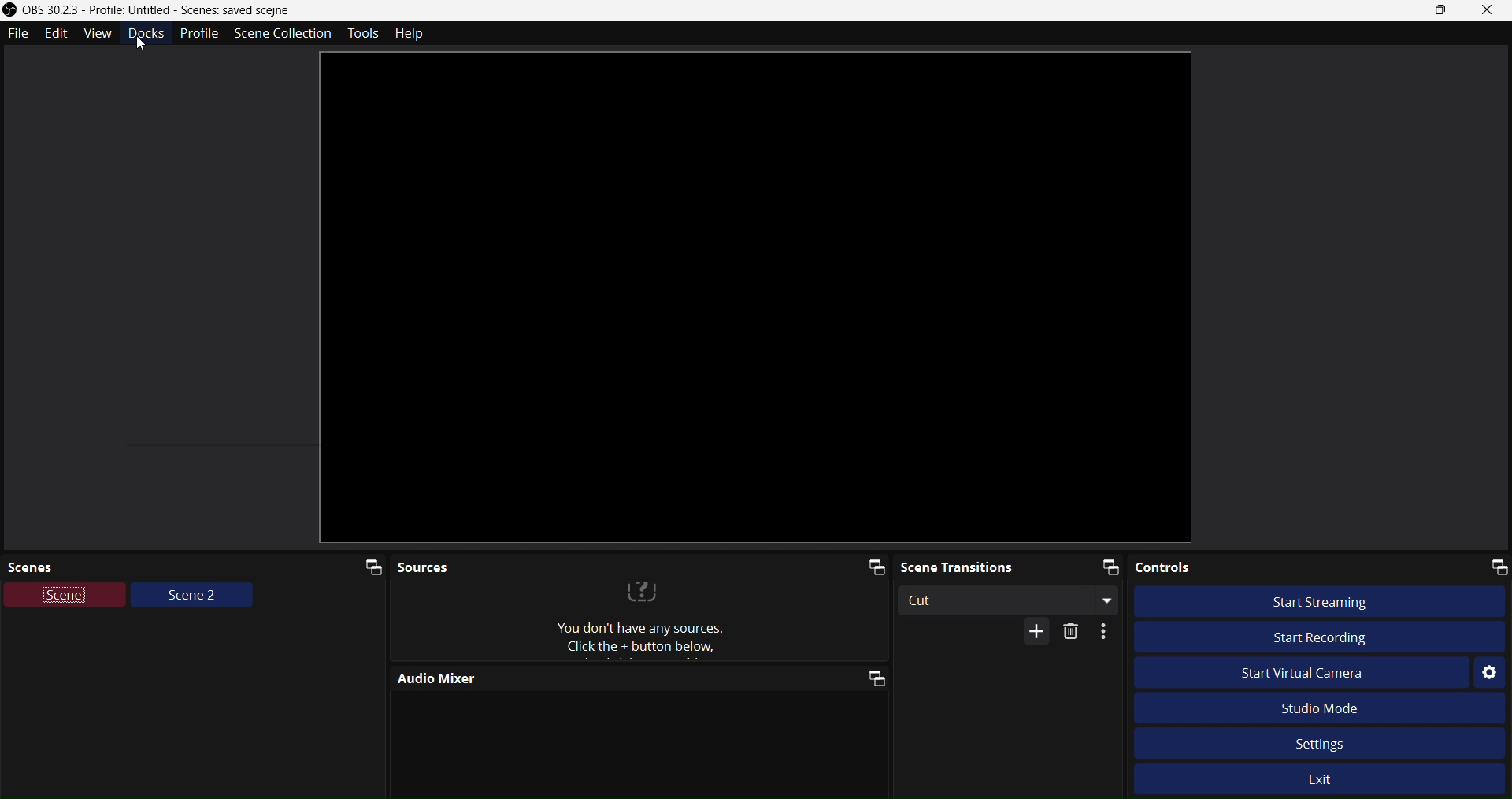 The width and height of the screenshot is (1512, 799). Describe the element at coordinates (281, 34) in the screenshot. I see `SceneSeclection` at that location.